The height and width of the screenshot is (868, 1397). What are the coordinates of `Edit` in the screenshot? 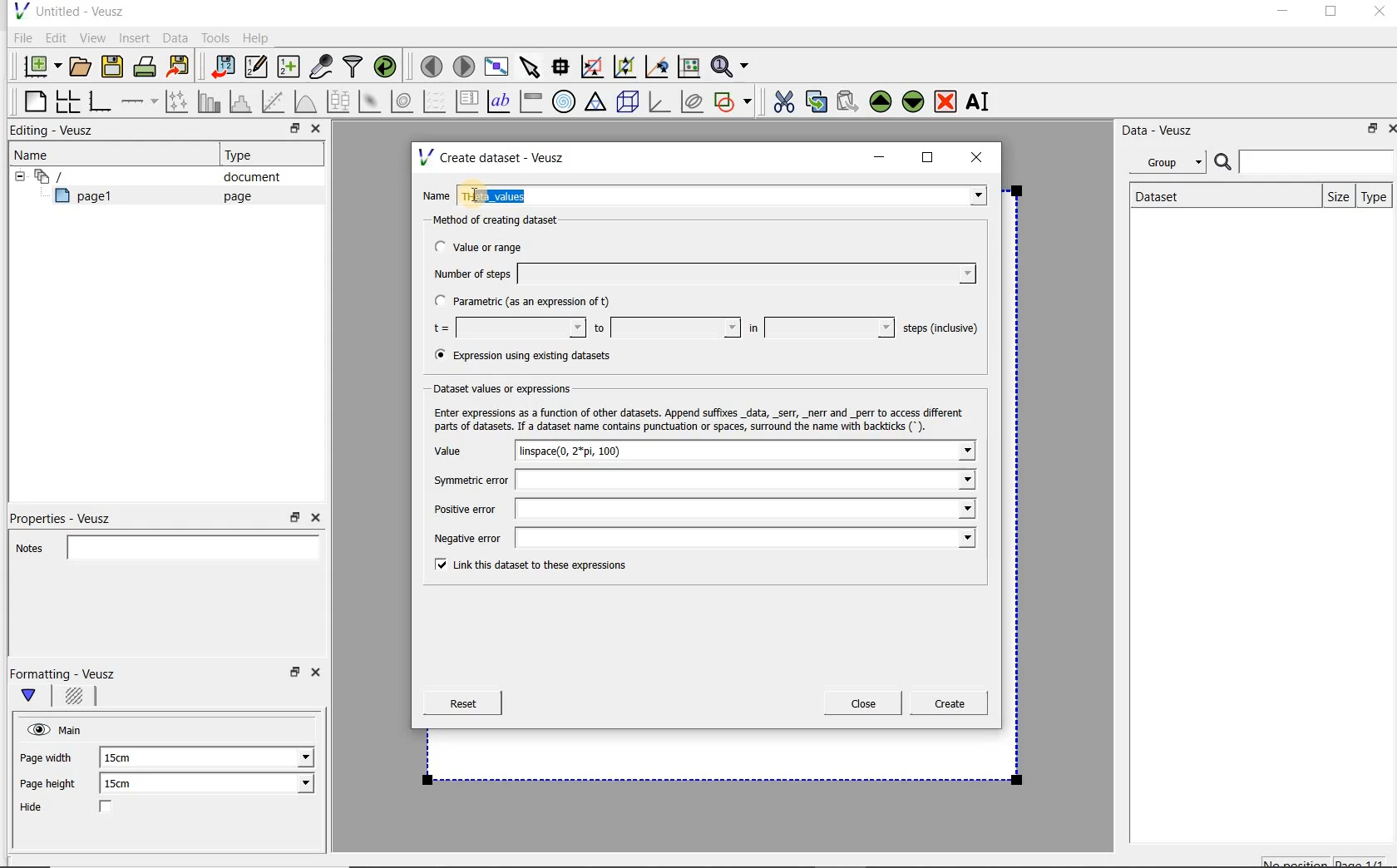 It's located at (55, 37).